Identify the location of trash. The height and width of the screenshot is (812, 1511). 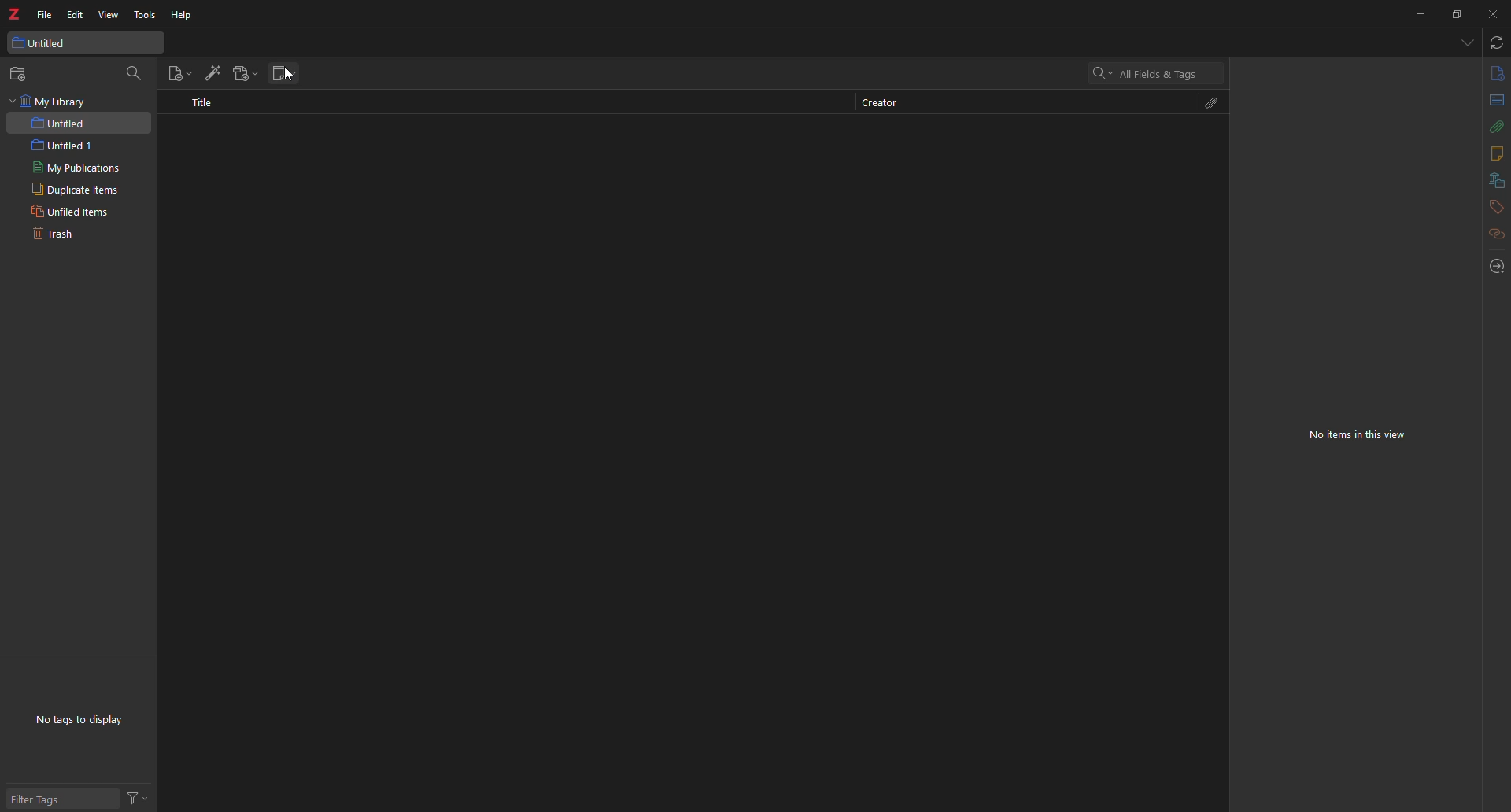
(57, 235).